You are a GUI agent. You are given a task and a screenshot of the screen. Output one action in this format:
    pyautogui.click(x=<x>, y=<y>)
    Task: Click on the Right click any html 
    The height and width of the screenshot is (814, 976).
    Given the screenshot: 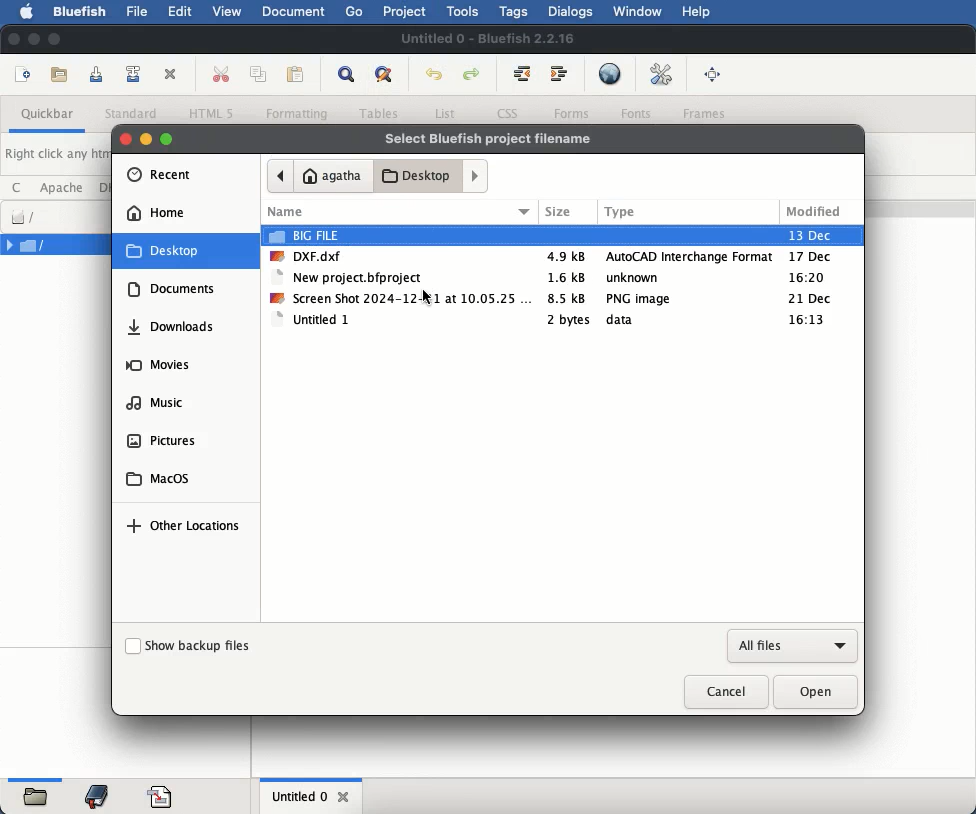 What is the action you would take?
    pyautogui.click(x=57, y=153)
    